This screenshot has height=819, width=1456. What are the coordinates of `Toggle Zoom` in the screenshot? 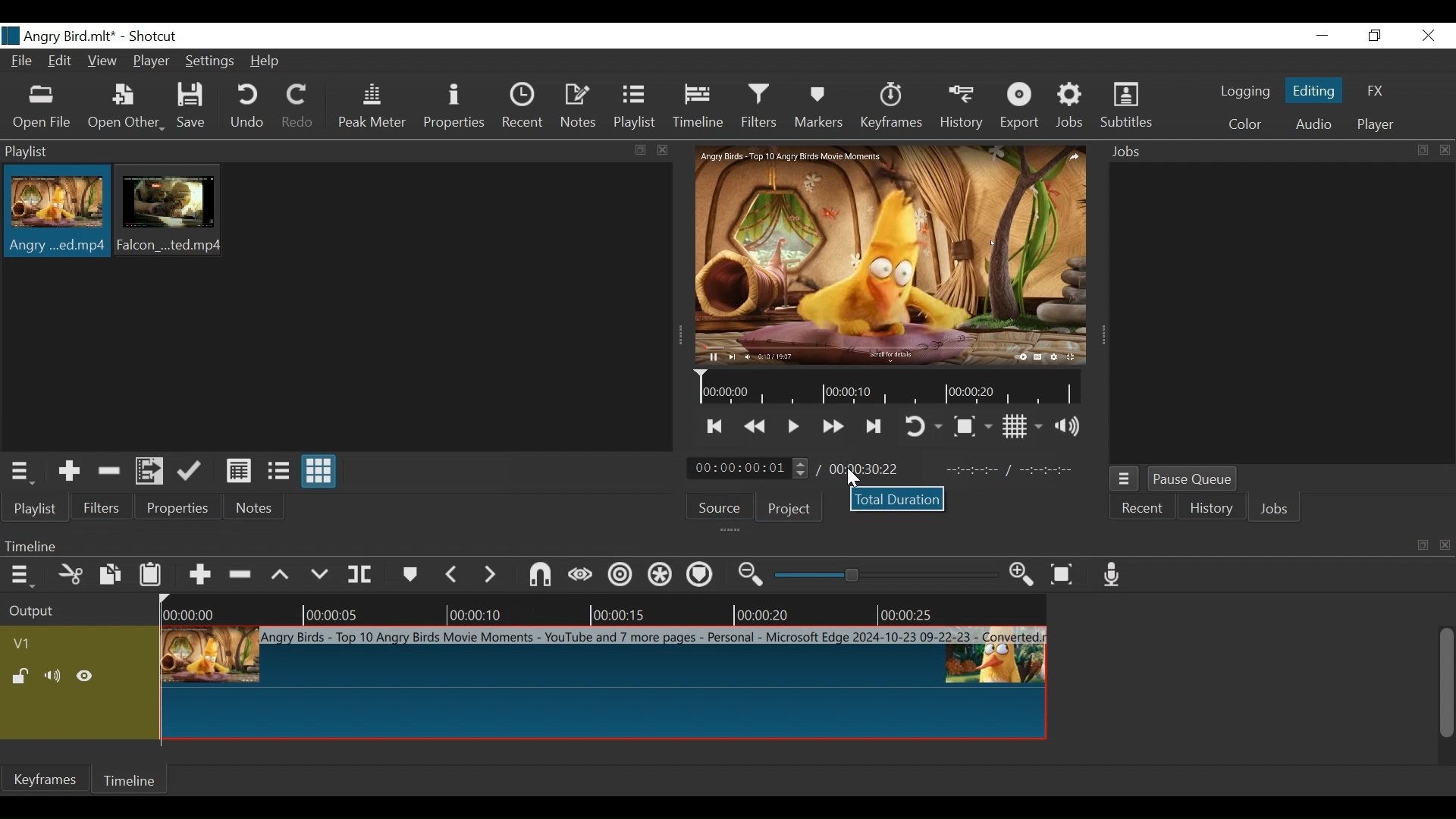 It's located at (971, 427).